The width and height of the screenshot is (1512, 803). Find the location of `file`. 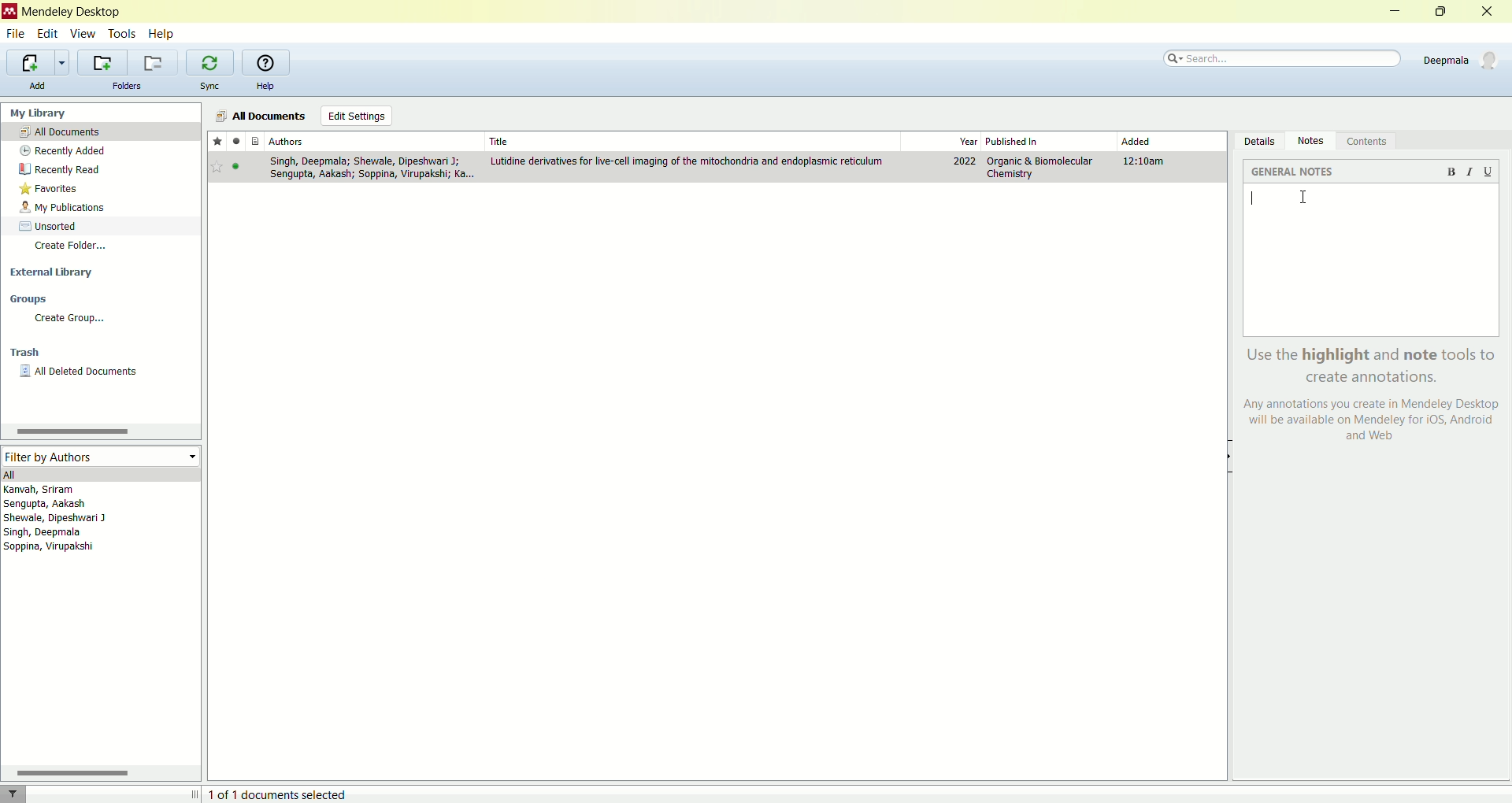

file is located at coordinates (17, 34).